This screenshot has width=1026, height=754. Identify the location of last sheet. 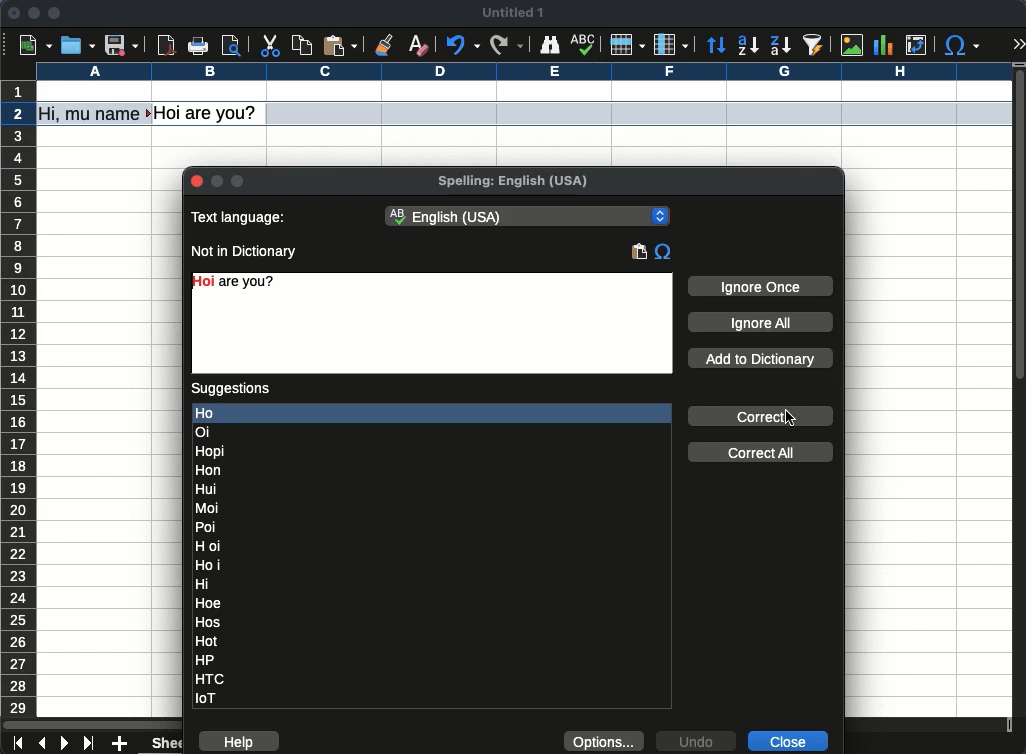
(91, 744).